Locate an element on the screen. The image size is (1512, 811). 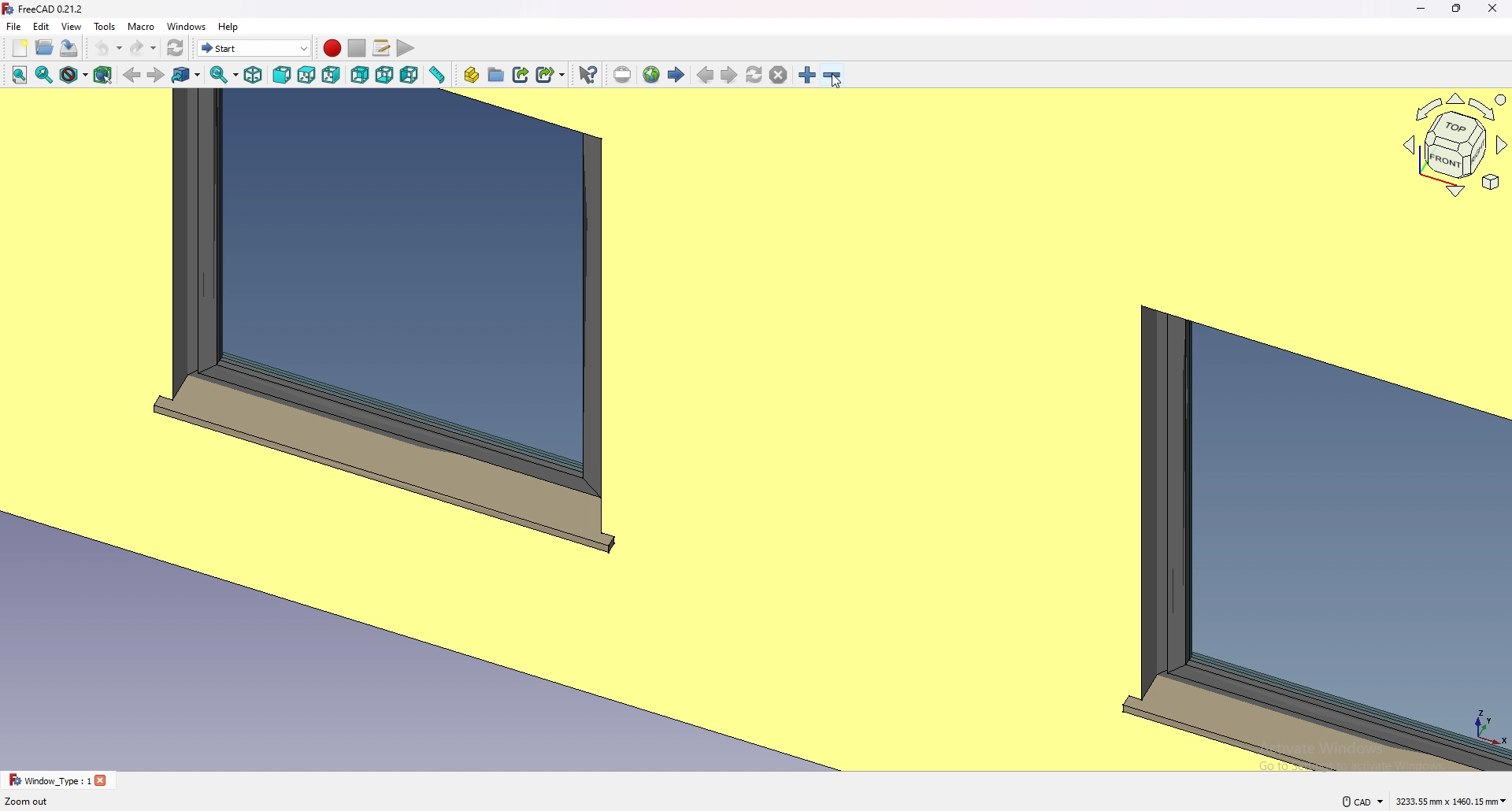
stop macro recording is located at coordinates (358, 49).